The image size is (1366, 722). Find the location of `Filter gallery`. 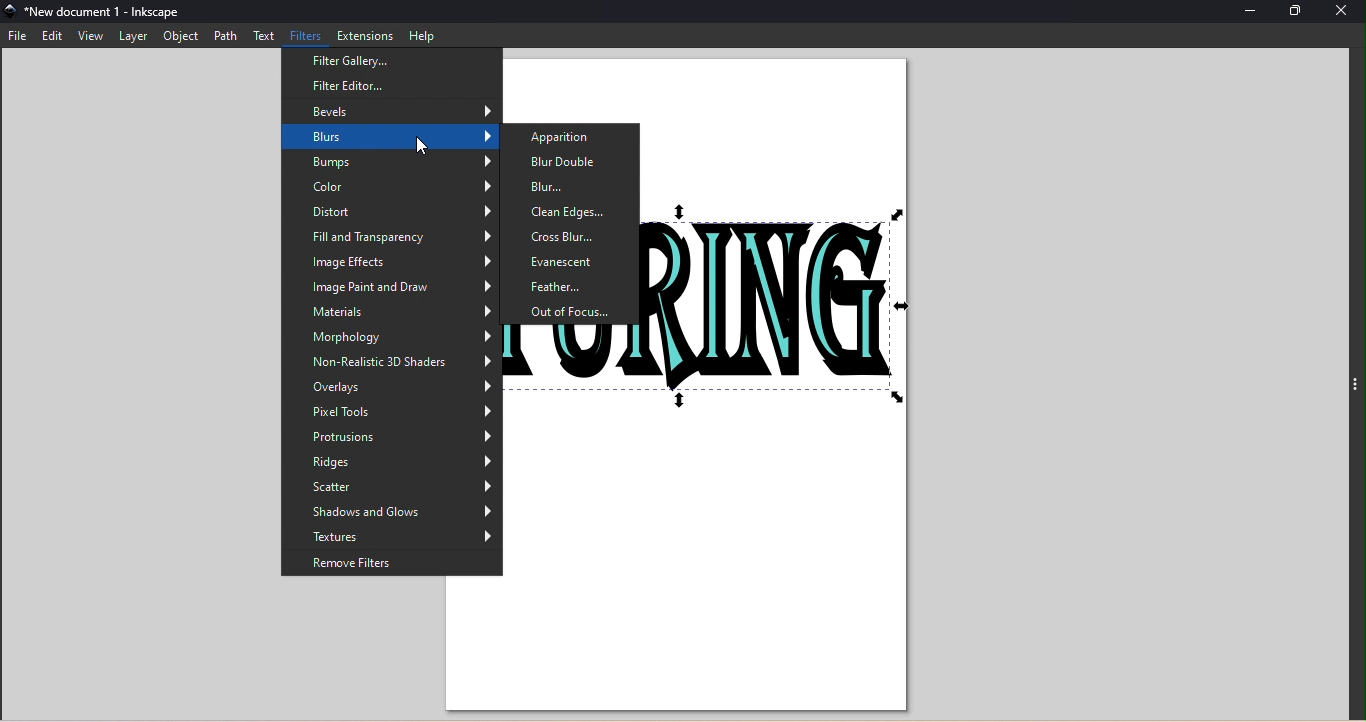

Filter gallery is located at coordinates (389, 62).